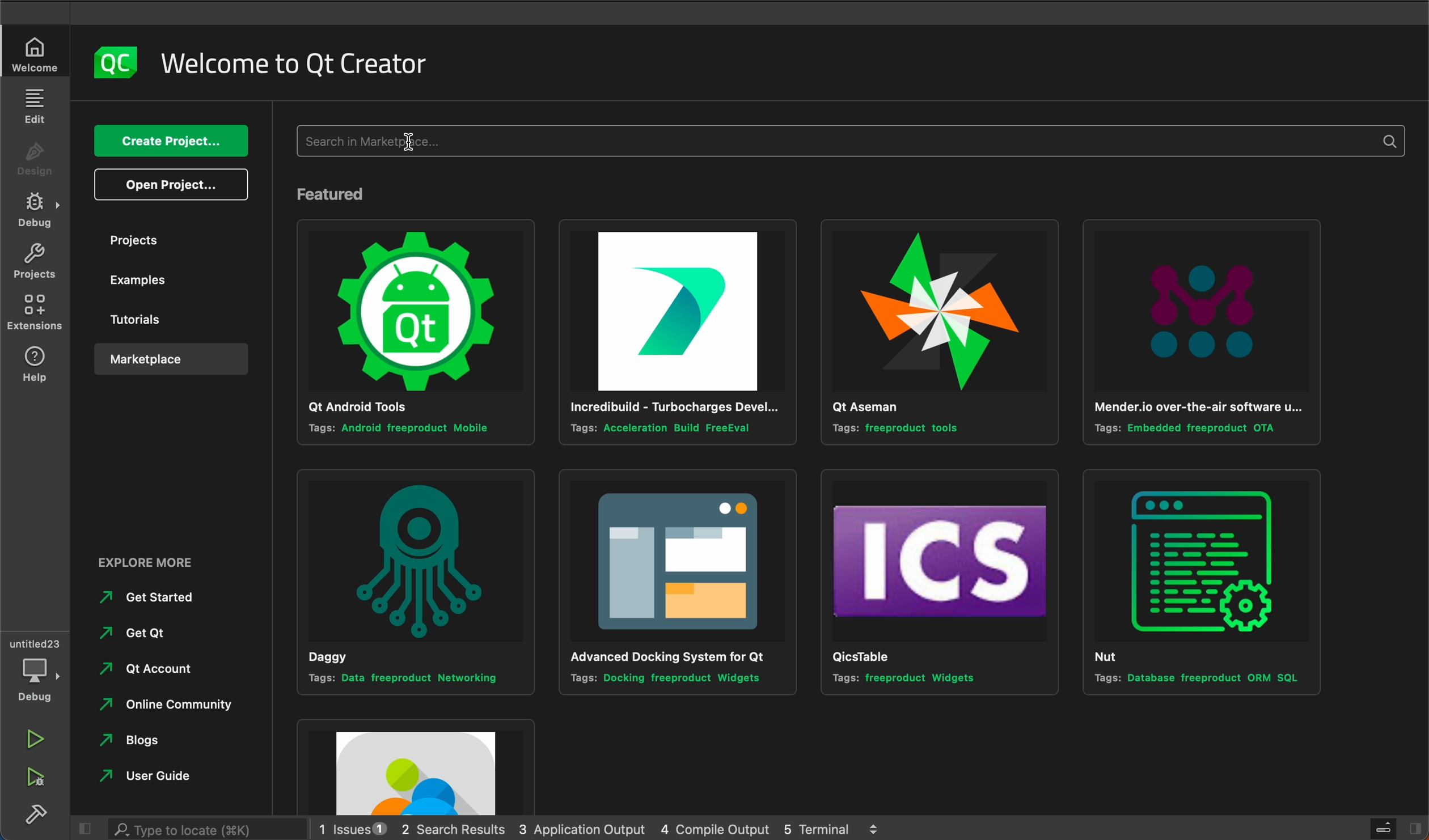 The height and width of the screenshot is (840, 1429). Describe the element at coordinates (36, 106) in the screenshot. I see `edit` at that location.